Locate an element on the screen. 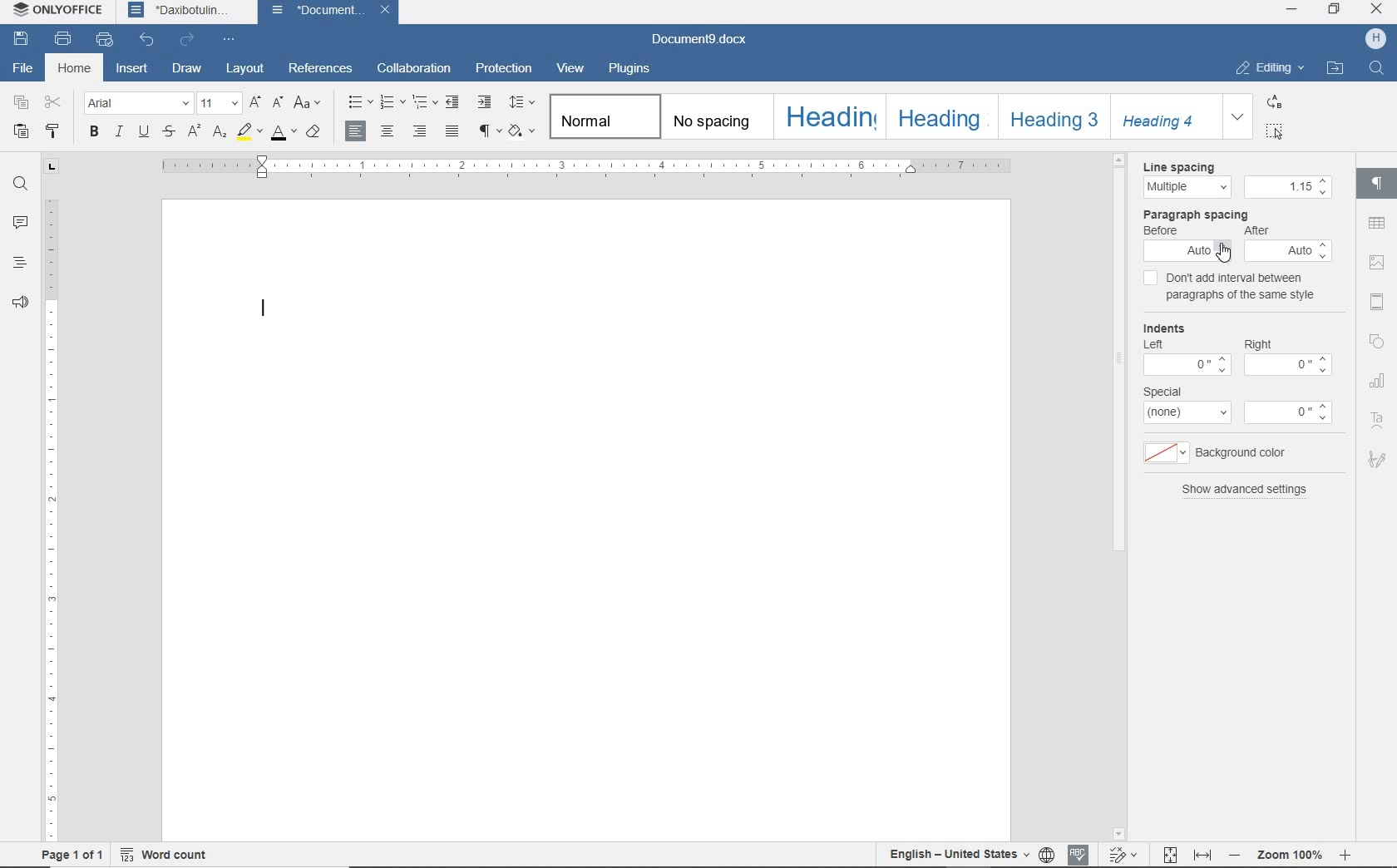 This screenshot has width=1397, height=868. paste is located at coordinates (22, 131).